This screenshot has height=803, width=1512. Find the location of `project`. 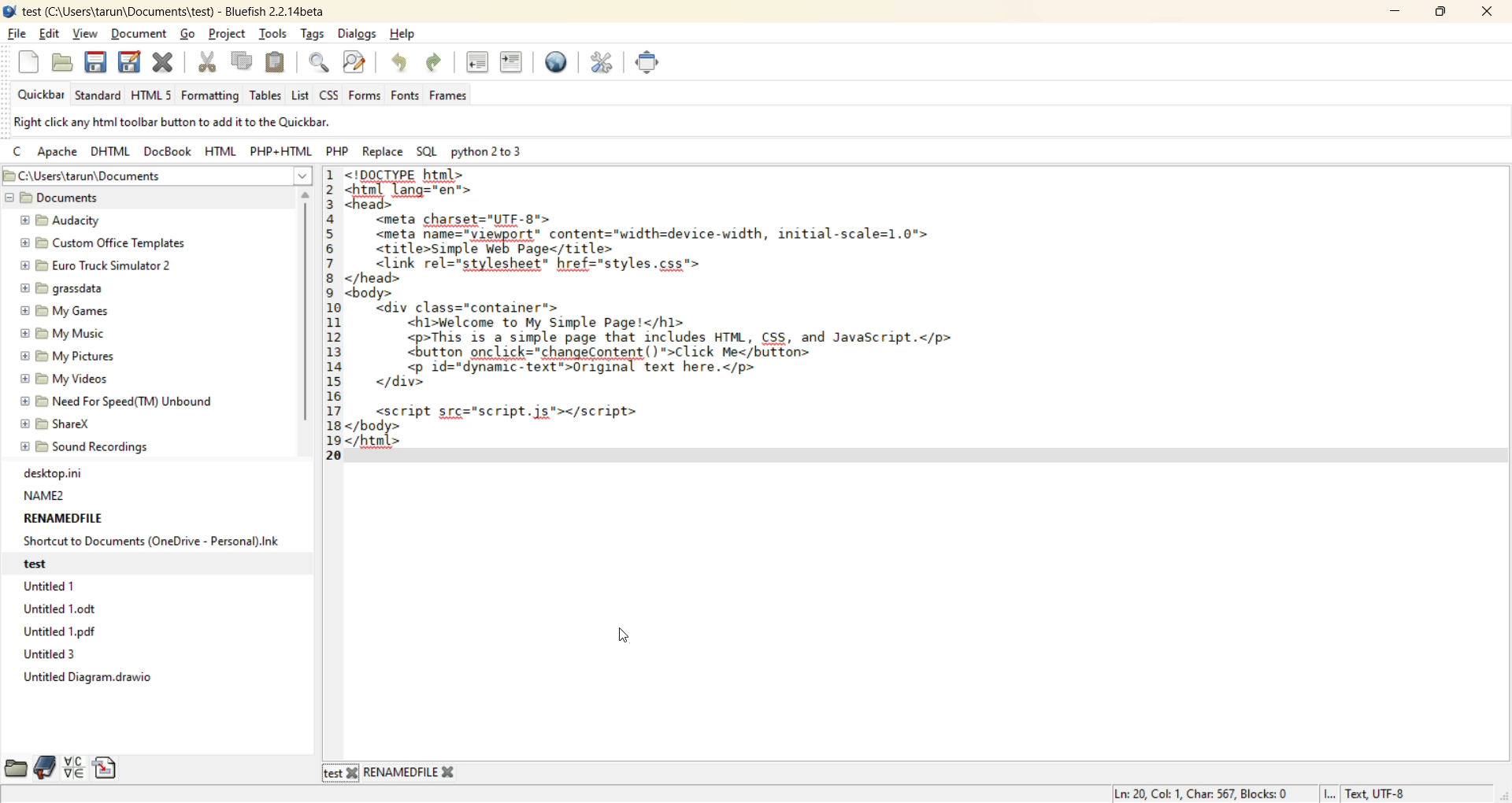

project is located at coordinates (227, 35).